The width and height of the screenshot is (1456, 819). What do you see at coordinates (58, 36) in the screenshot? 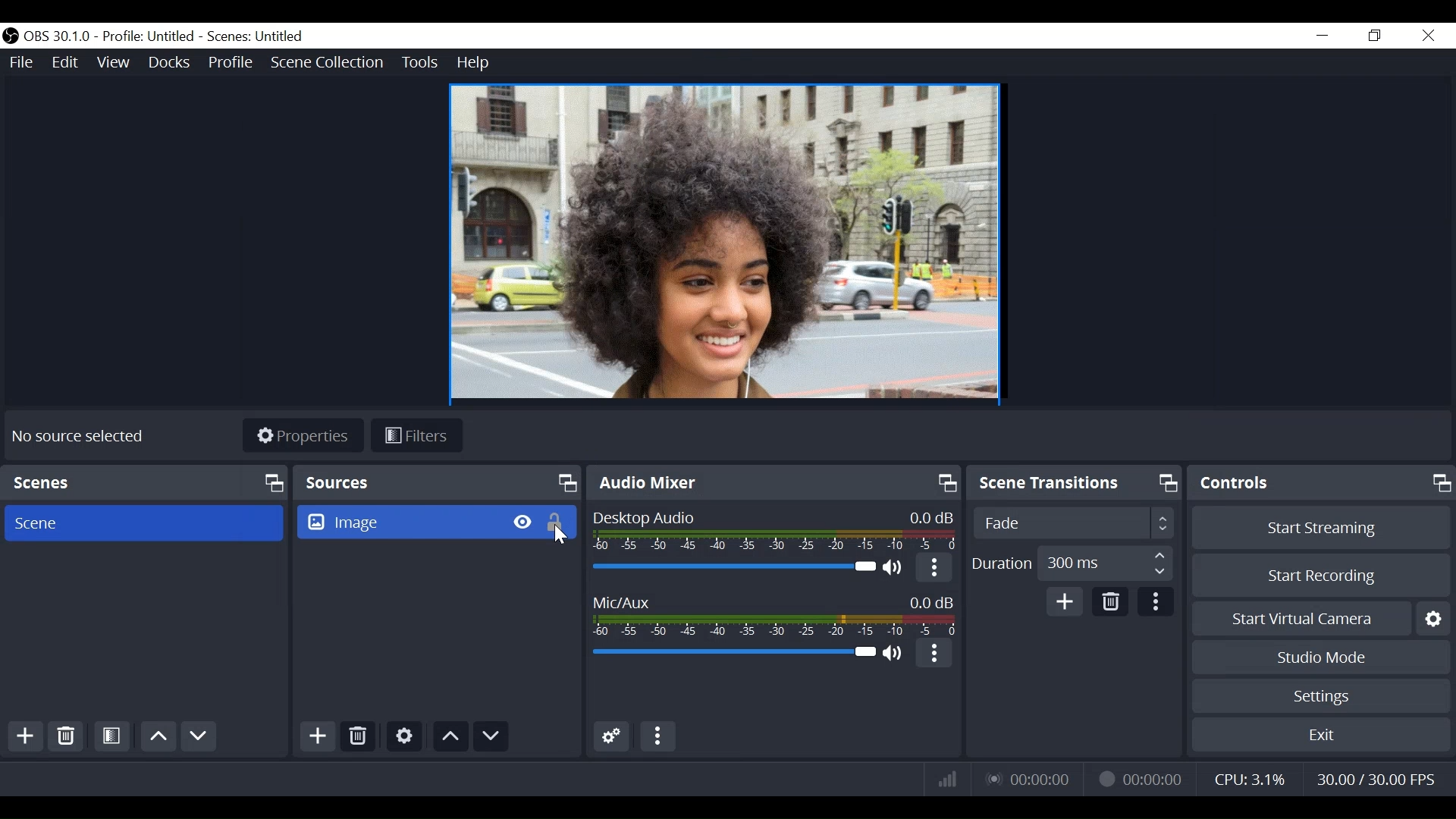
I see `OBS 30.1.0` at bounding box center [58, 36].